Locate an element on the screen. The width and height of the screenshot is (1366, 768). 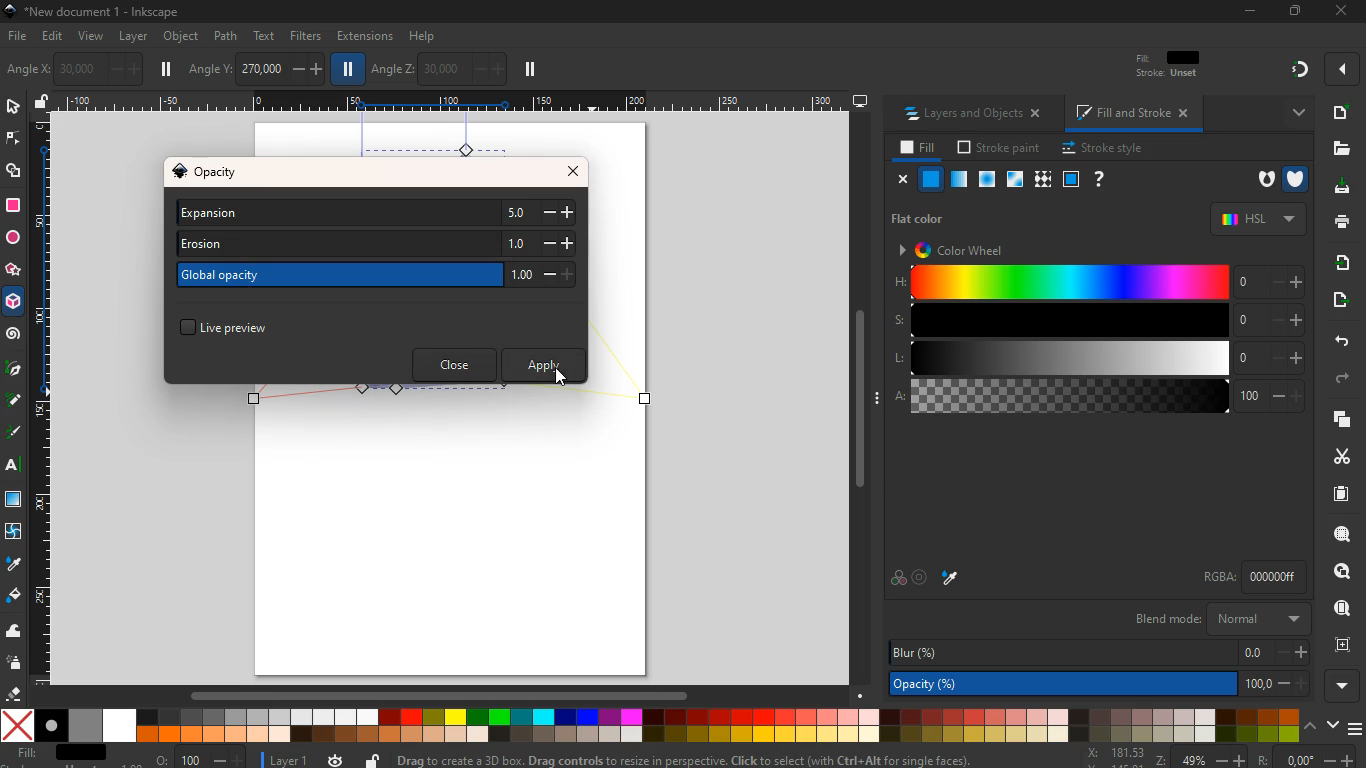
edit is located at coordinates (57, 38).